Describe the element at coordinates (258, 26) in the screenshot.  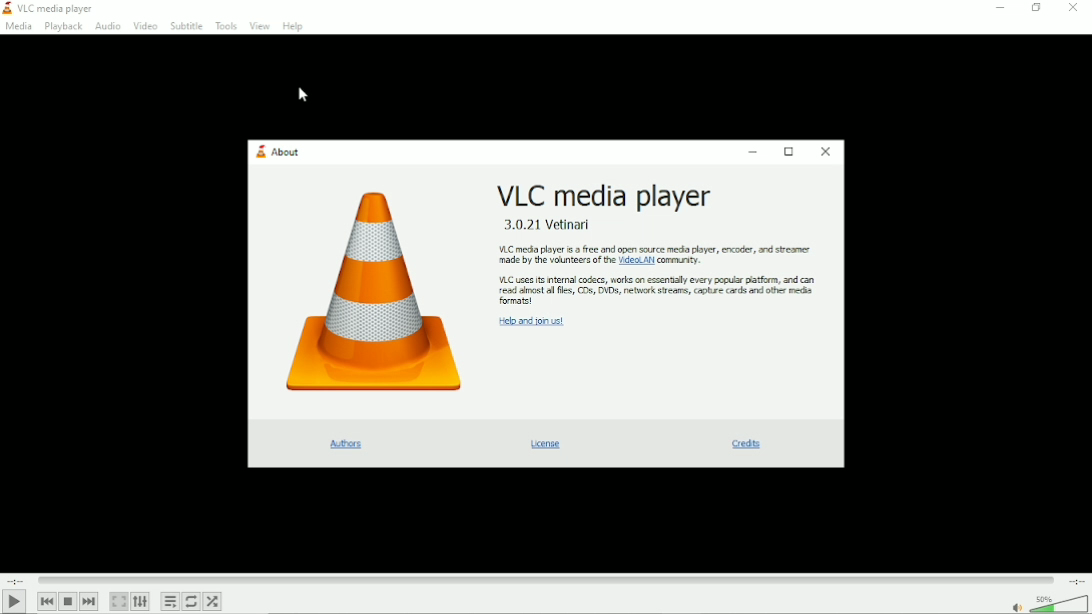
I see `View` at that location.